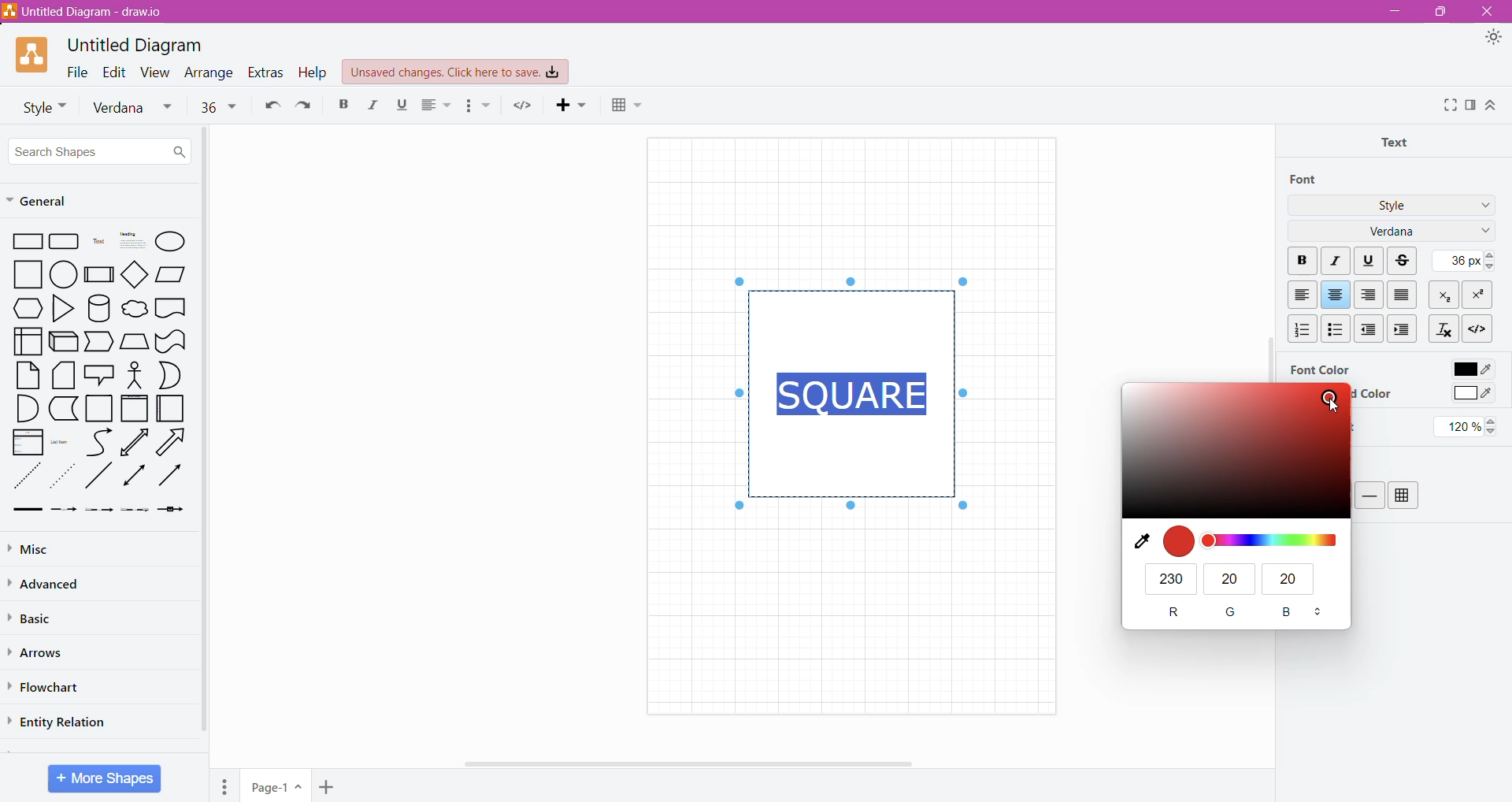  I want to click on Search Shapes, so click(99, 150).